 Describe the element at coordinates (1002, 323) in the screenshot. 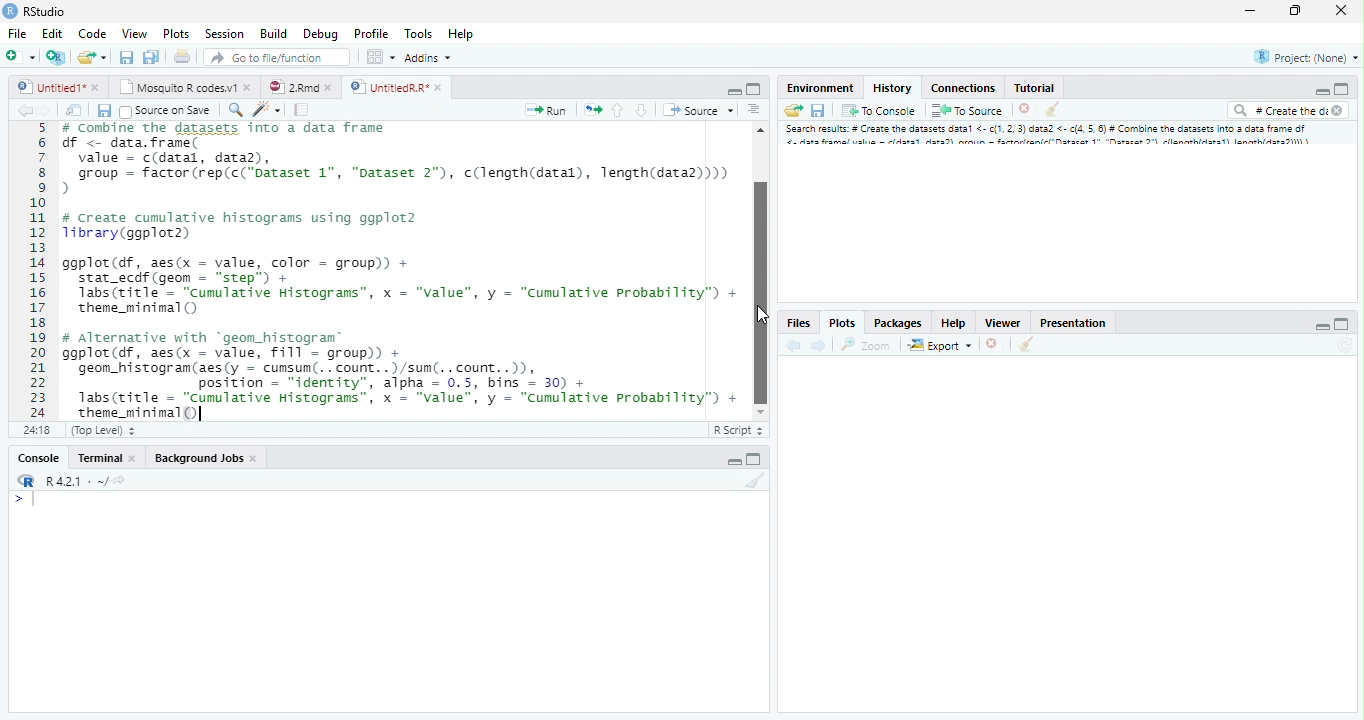

I see `Viewer` at that location.